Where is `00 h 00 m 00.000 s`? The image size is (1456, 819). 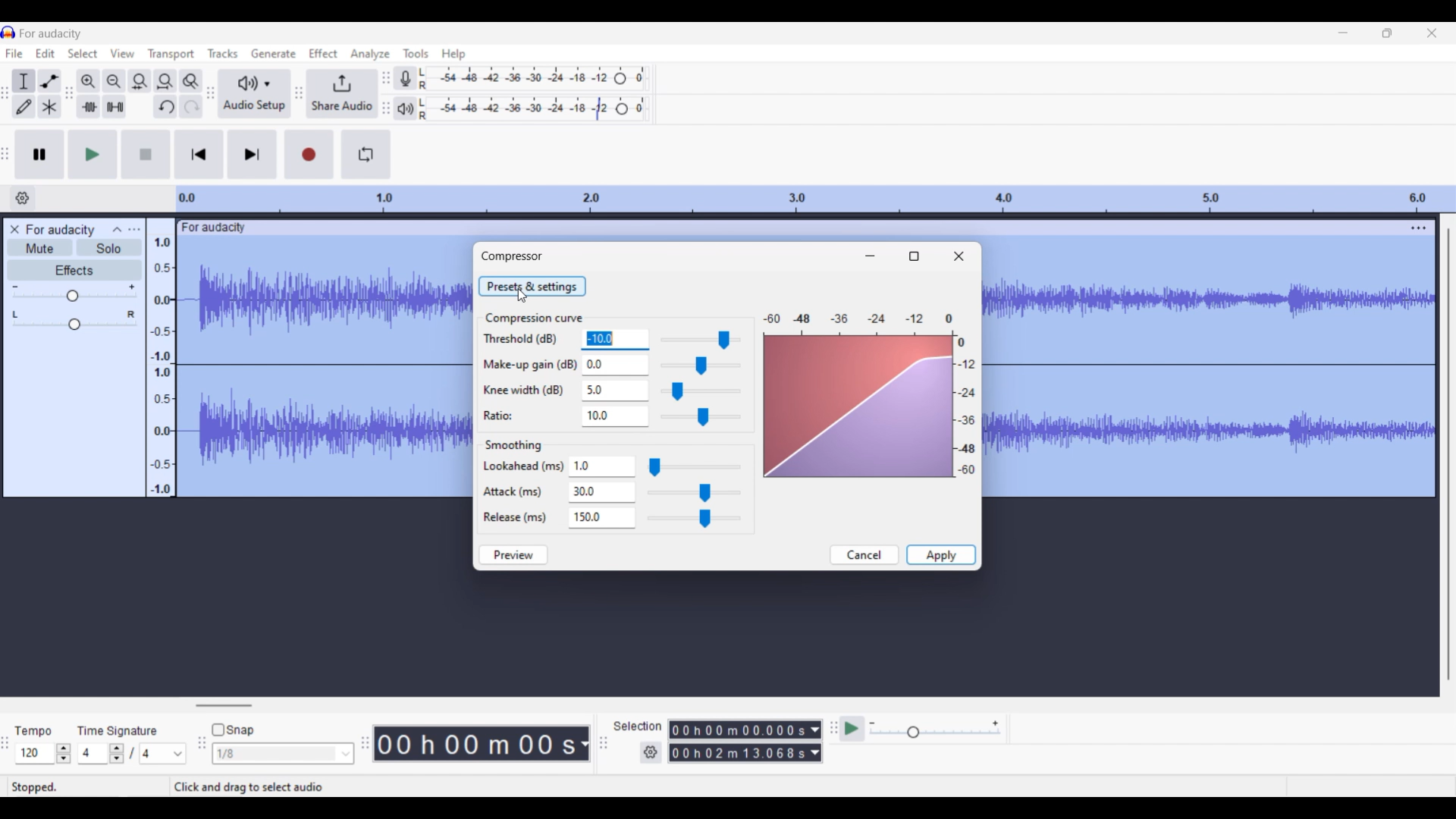
00 h 00 m 00.000 s is located at coordinates (738, 742).